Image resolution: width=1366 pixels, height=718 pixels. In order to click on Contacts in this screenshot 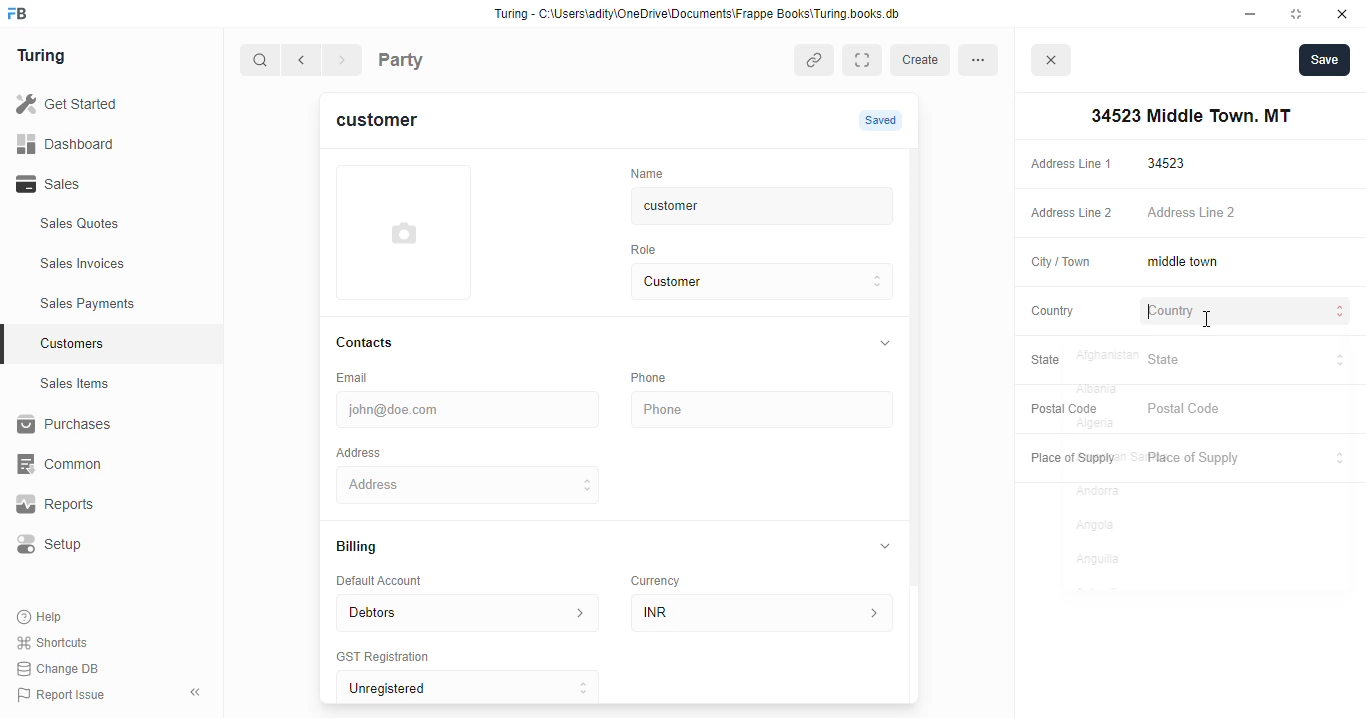, I will do `click(384, 343)`.